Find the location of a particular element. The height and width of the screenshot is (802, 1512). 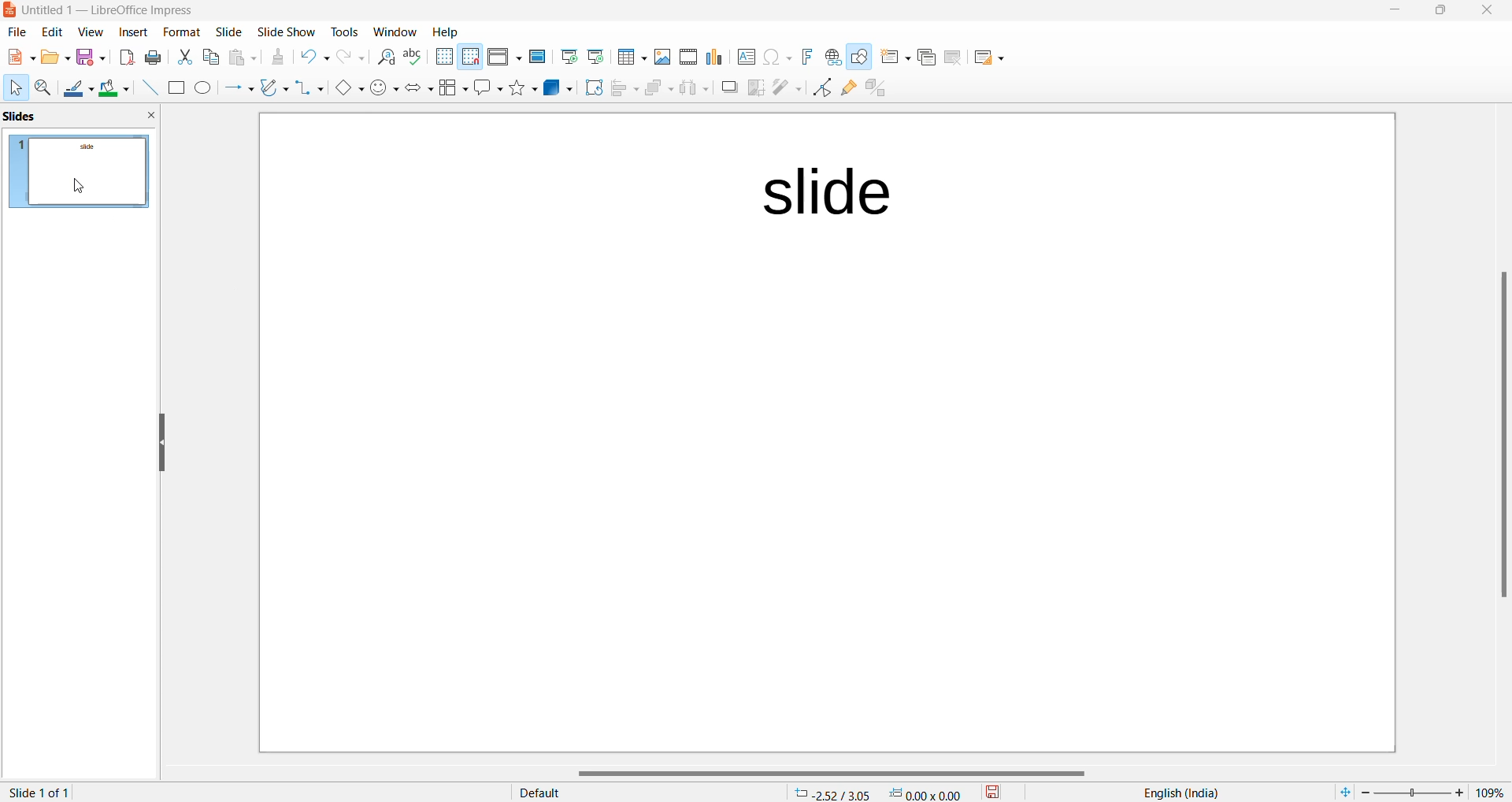

slide is located at coordinates (181, 32).